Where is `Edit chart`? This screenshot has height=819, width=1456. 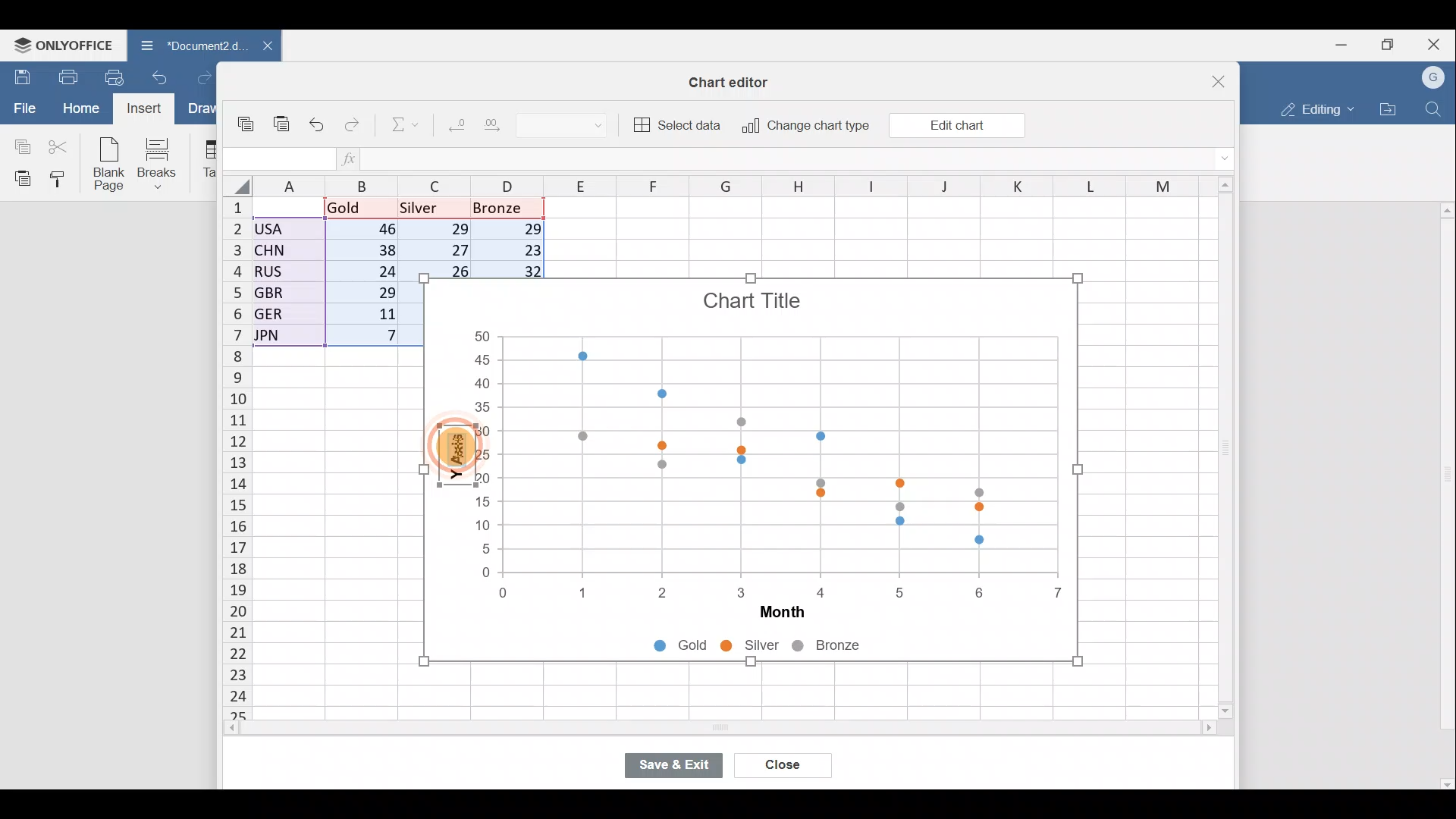
Edit chart is located at coordinates (955, 124).